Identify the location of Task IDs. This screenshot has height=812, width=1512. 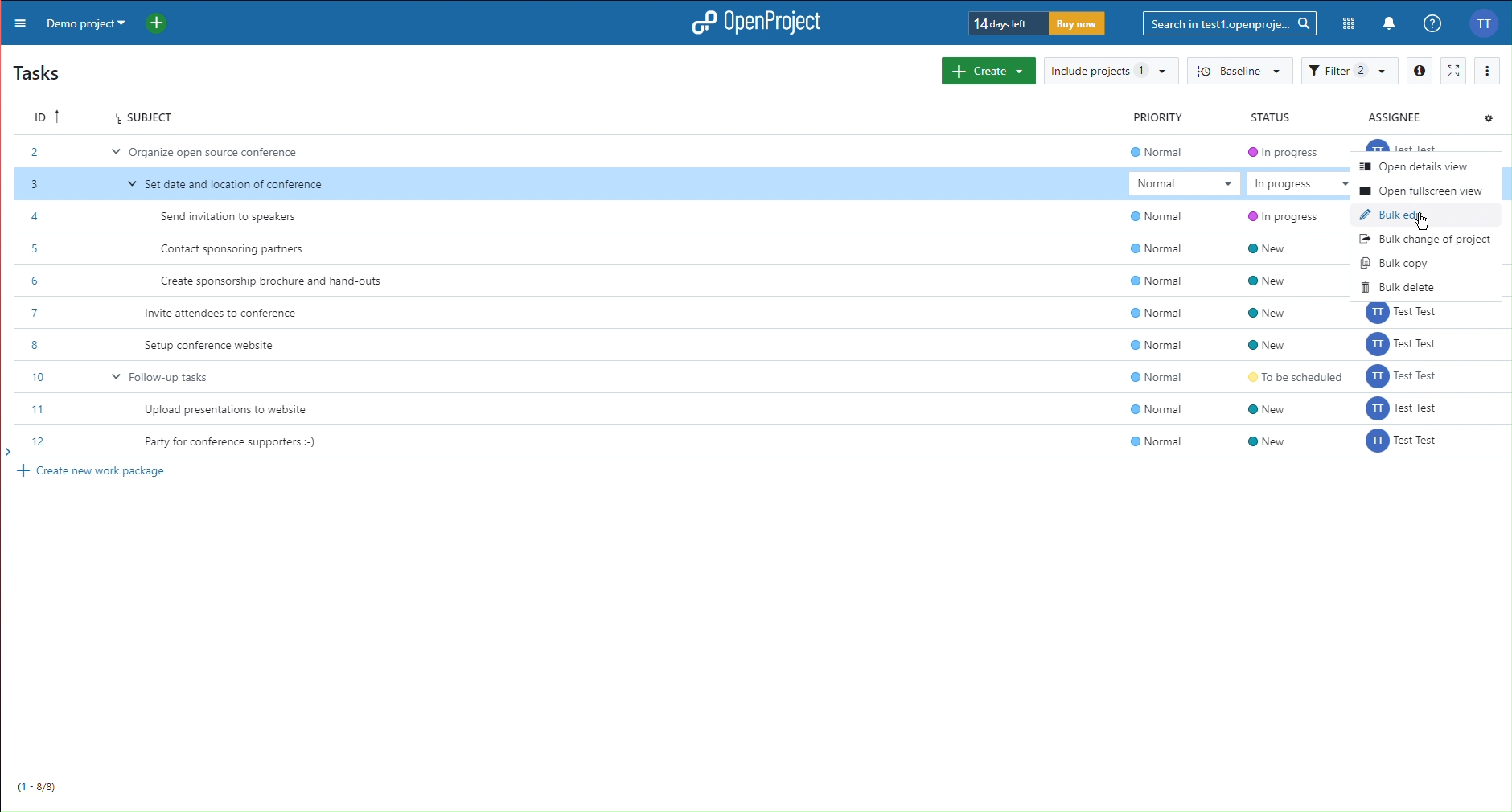
(44, 298).